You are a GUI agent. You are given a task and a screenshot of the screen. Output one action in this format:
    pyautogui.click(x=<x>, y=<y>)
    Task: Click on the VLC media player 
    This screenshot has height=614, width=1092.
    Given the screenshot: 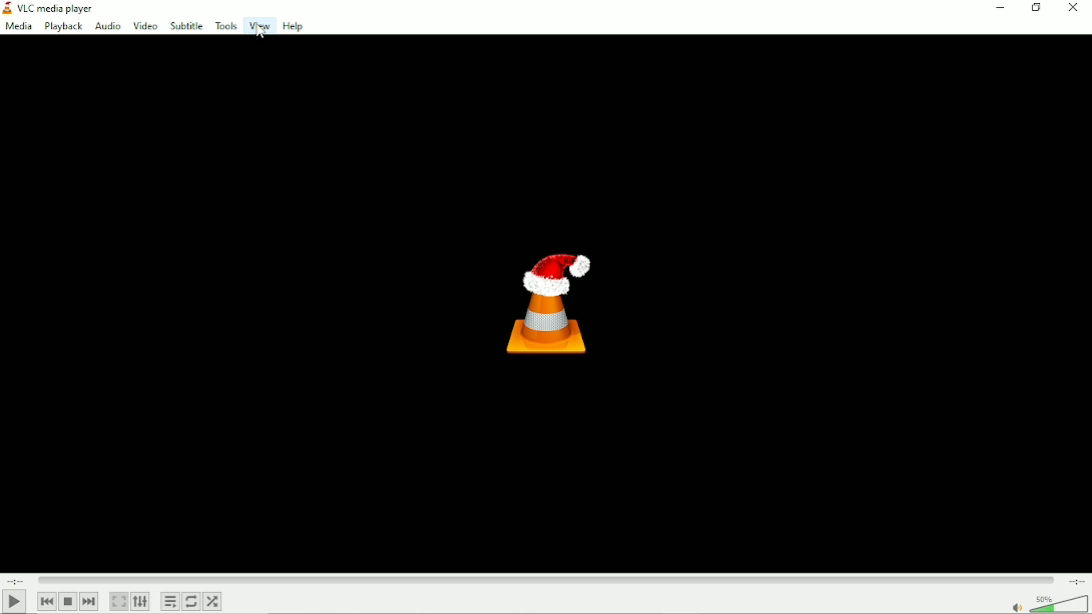 What is the action you would take?
    pyautogui.click(x=58, y=8)
    